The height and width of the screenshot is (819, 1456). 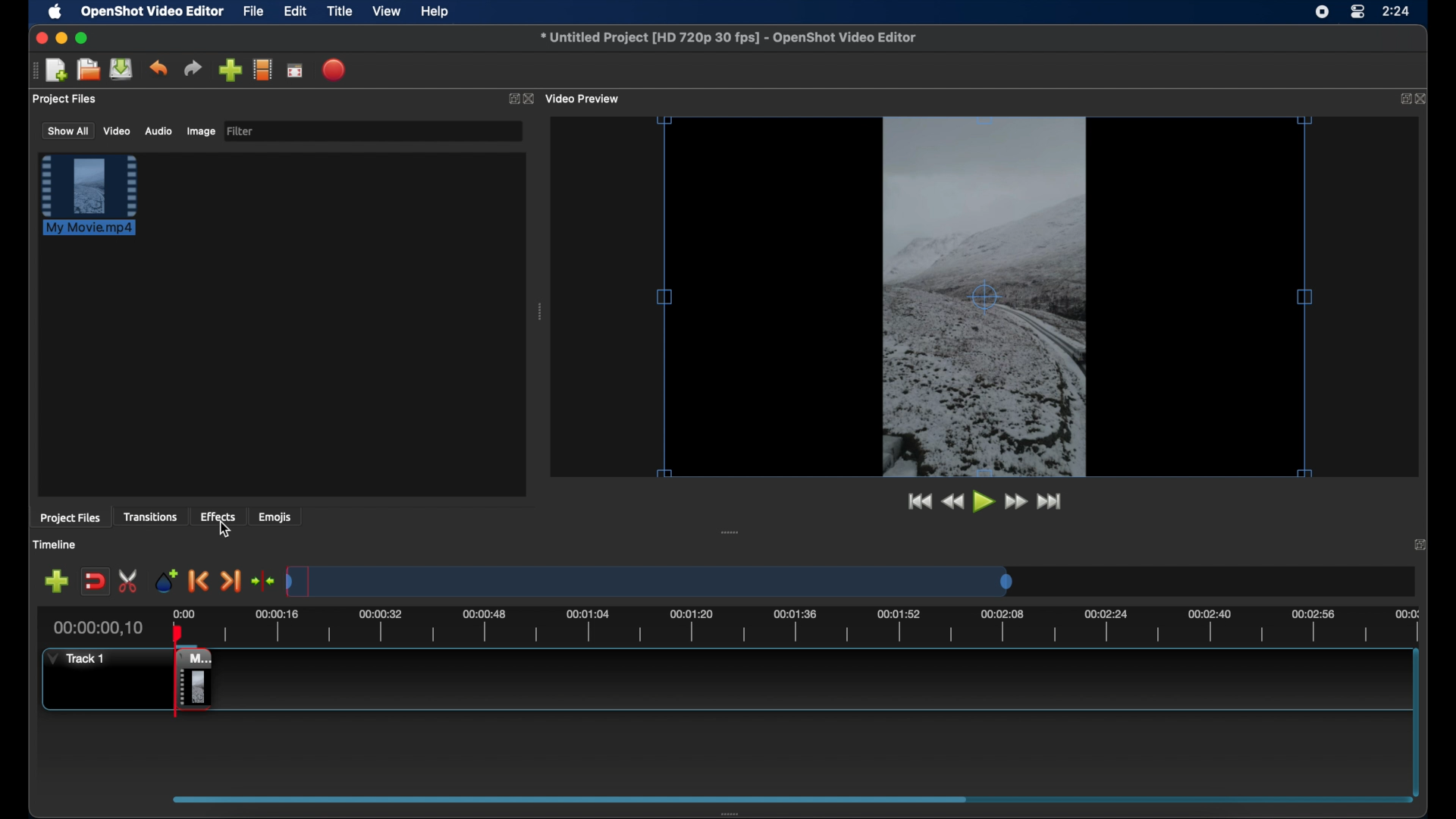 What do you see at coordinates (1397, 13) in the screenshot?
I see `rime` at bounding box center [1397, 13].